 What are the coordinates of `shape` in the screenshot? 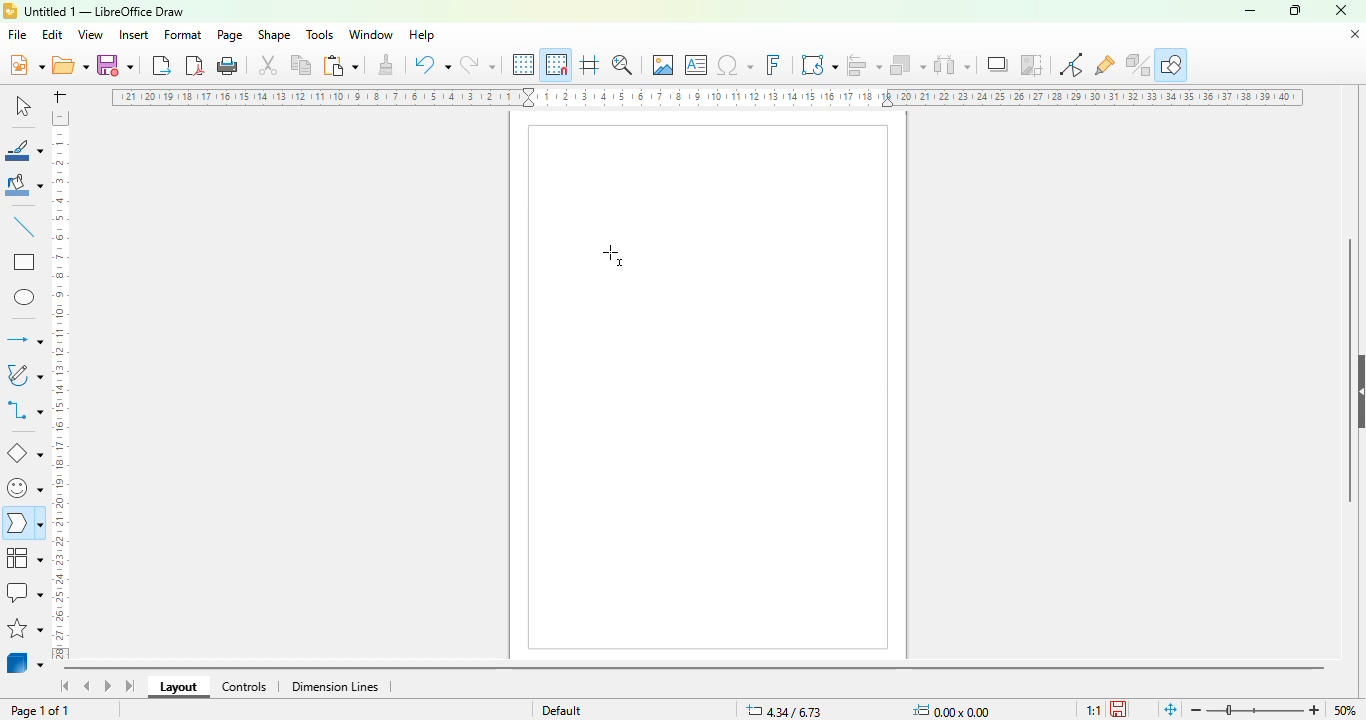 It's located at (274, 34).